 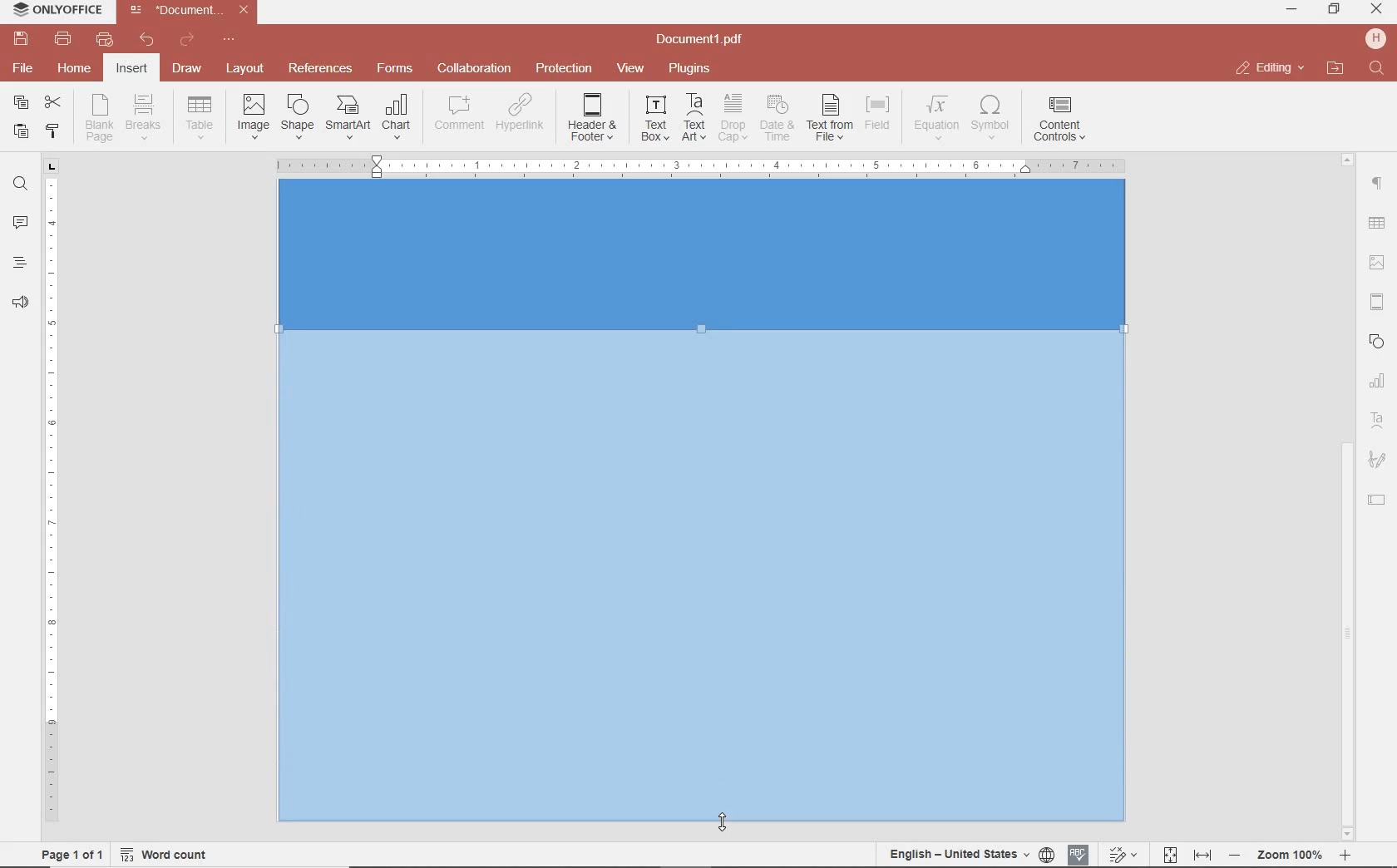 What do you see at coordinates (1379, 69) in the screenshot?
I see `find` at bounding box center [1379, 69].